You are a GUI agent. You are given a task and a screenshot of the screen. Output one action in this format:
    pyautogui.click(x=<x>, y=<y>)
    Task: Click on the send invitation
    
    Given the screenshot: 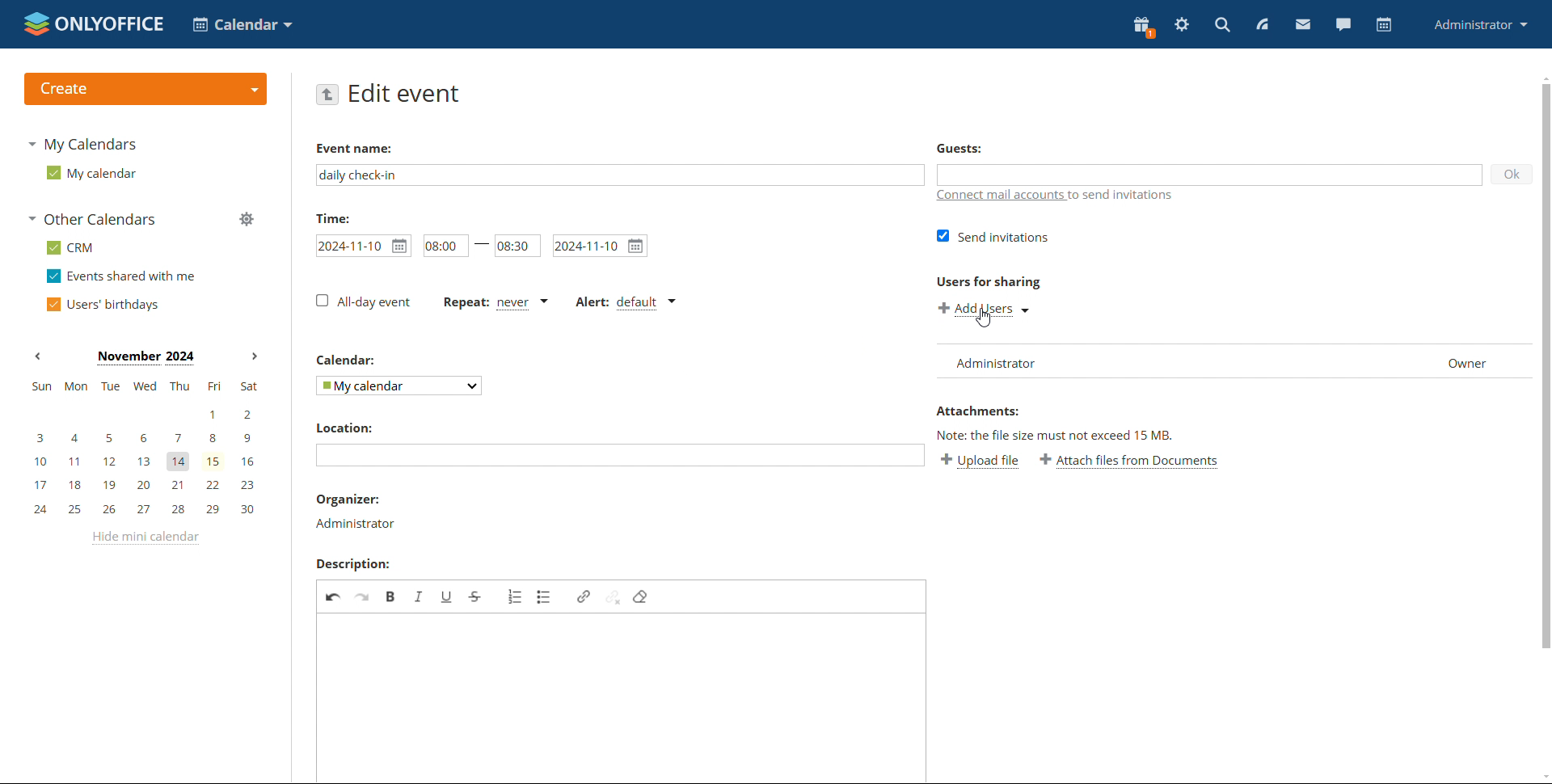 What is the action you would take?
    pyautogui.click(x=996, y=236)
    